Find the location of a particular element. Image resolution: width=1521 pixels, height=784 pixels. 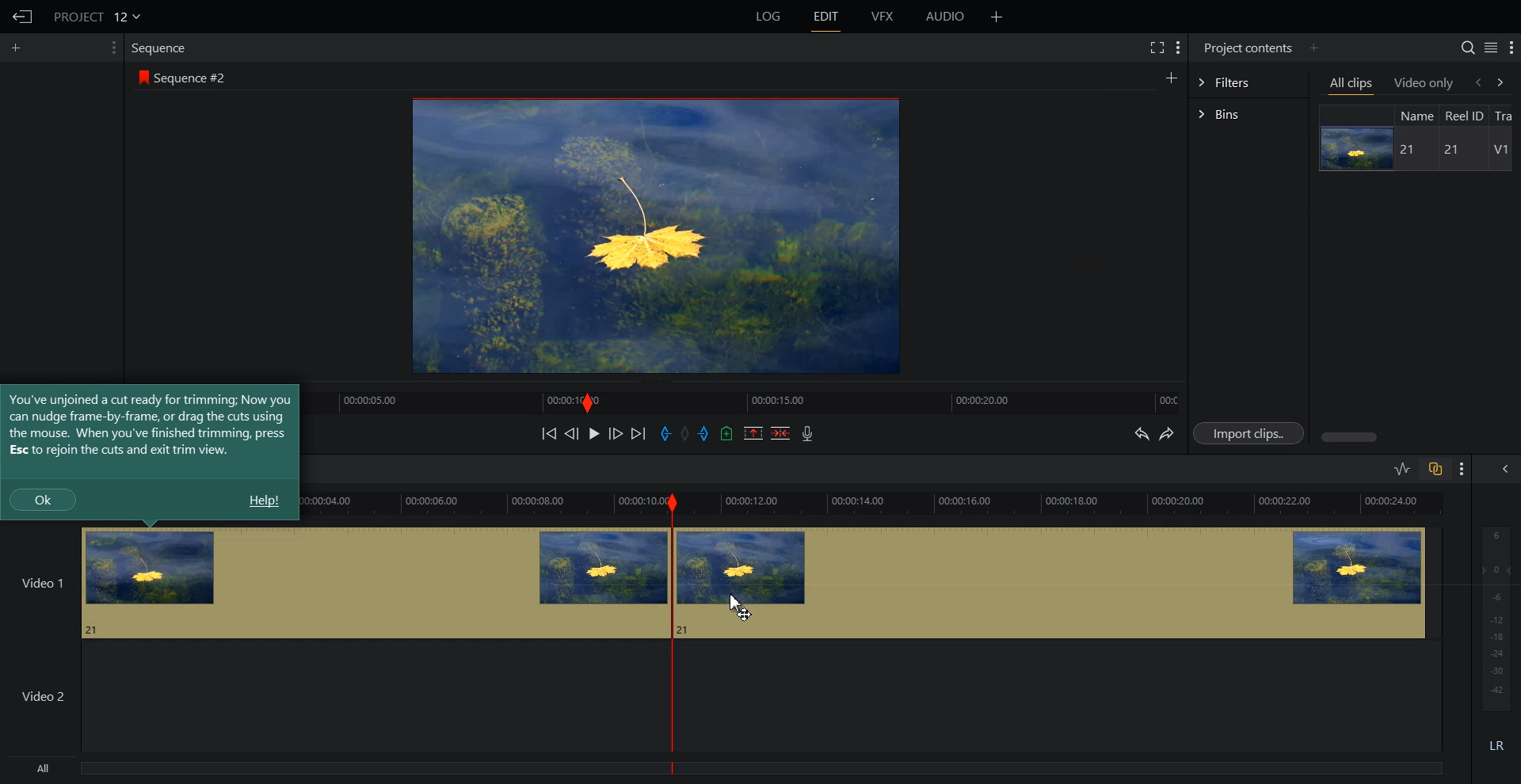

EDIT is located at coordinates (825, 17).